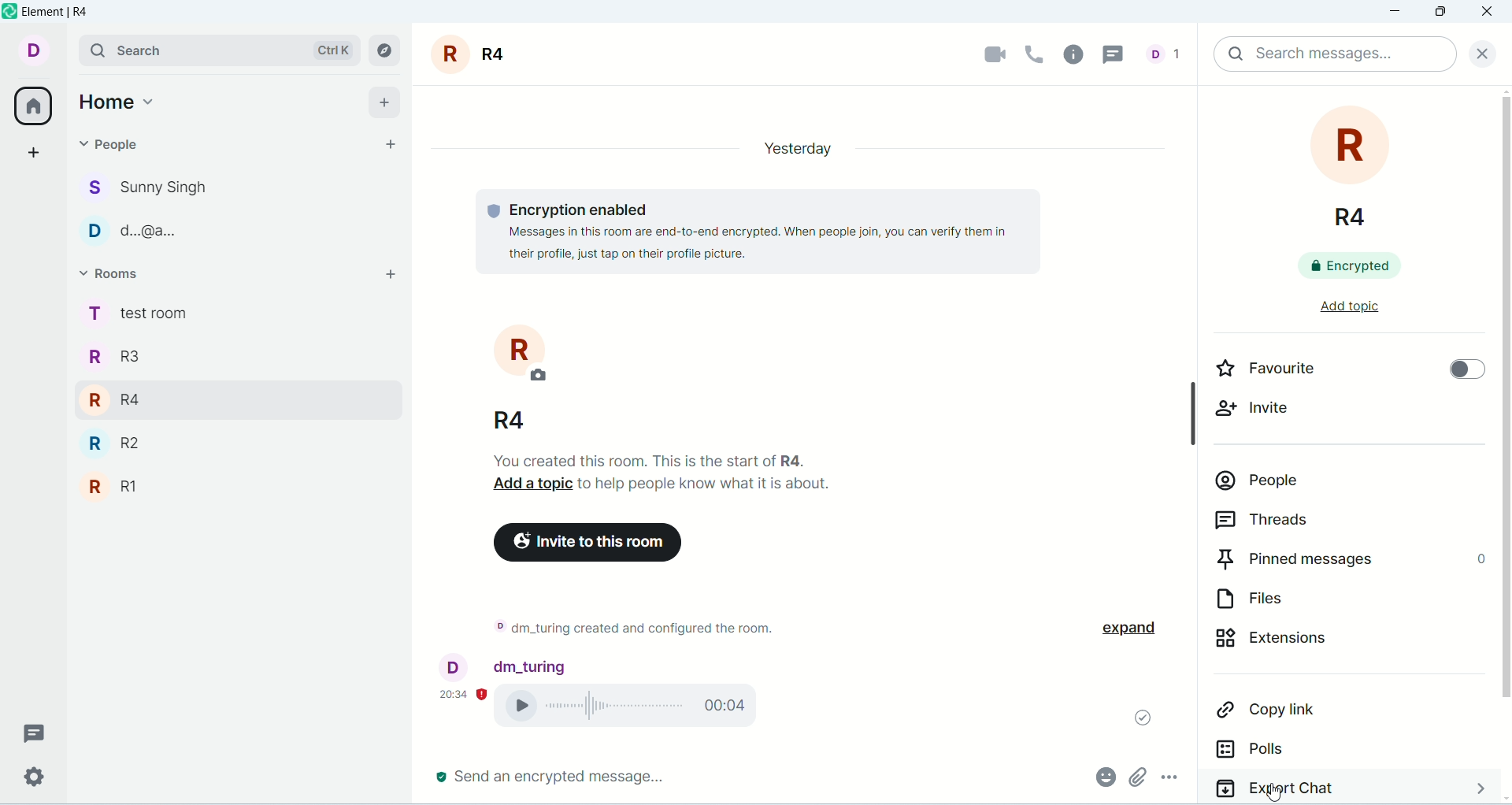  What do you see at coordinates (37, 152) in the screenshot?
I see `create a space` at bounding box center [37, 152].